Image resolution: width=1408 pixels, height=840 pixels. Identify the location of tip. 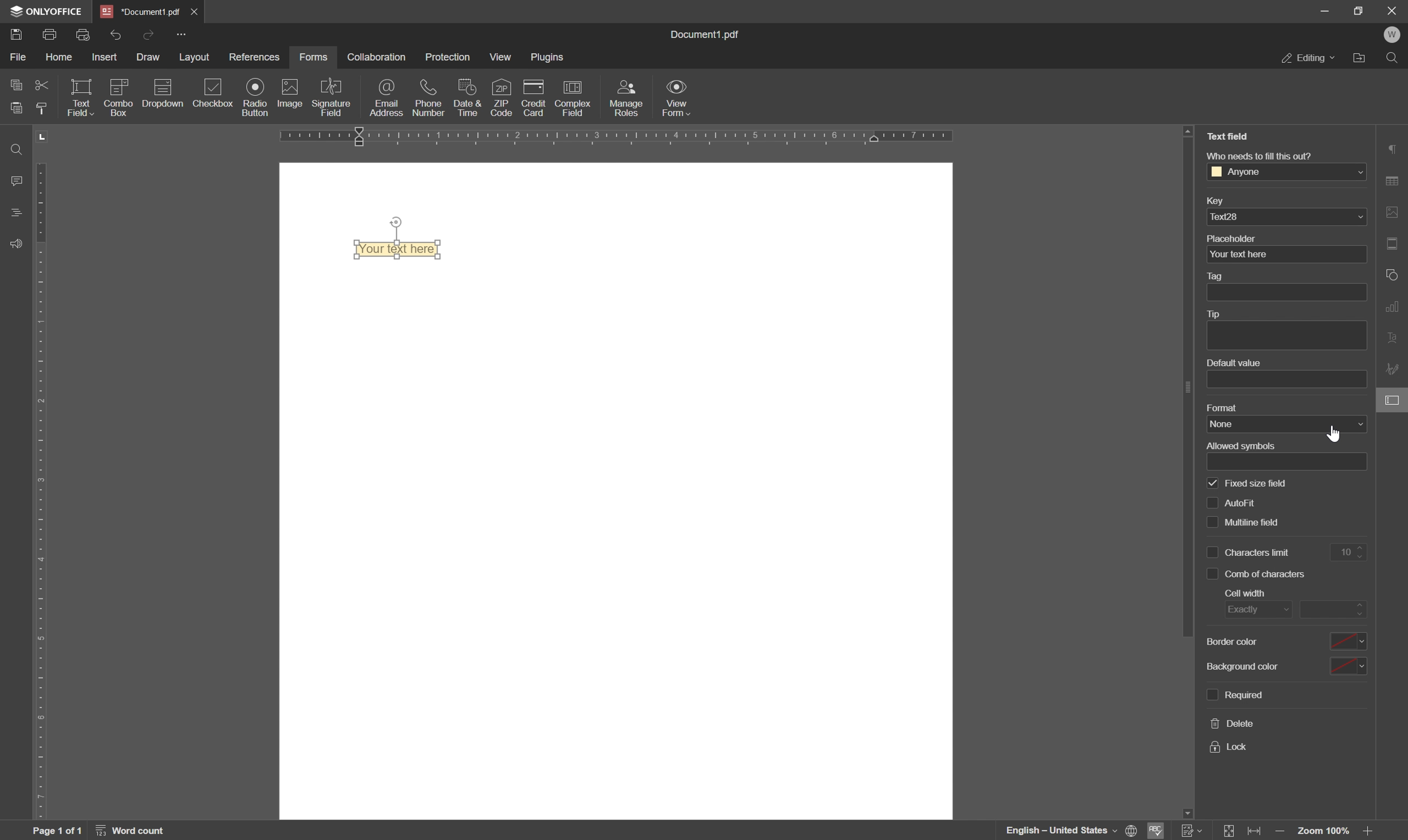
(1215, 314).